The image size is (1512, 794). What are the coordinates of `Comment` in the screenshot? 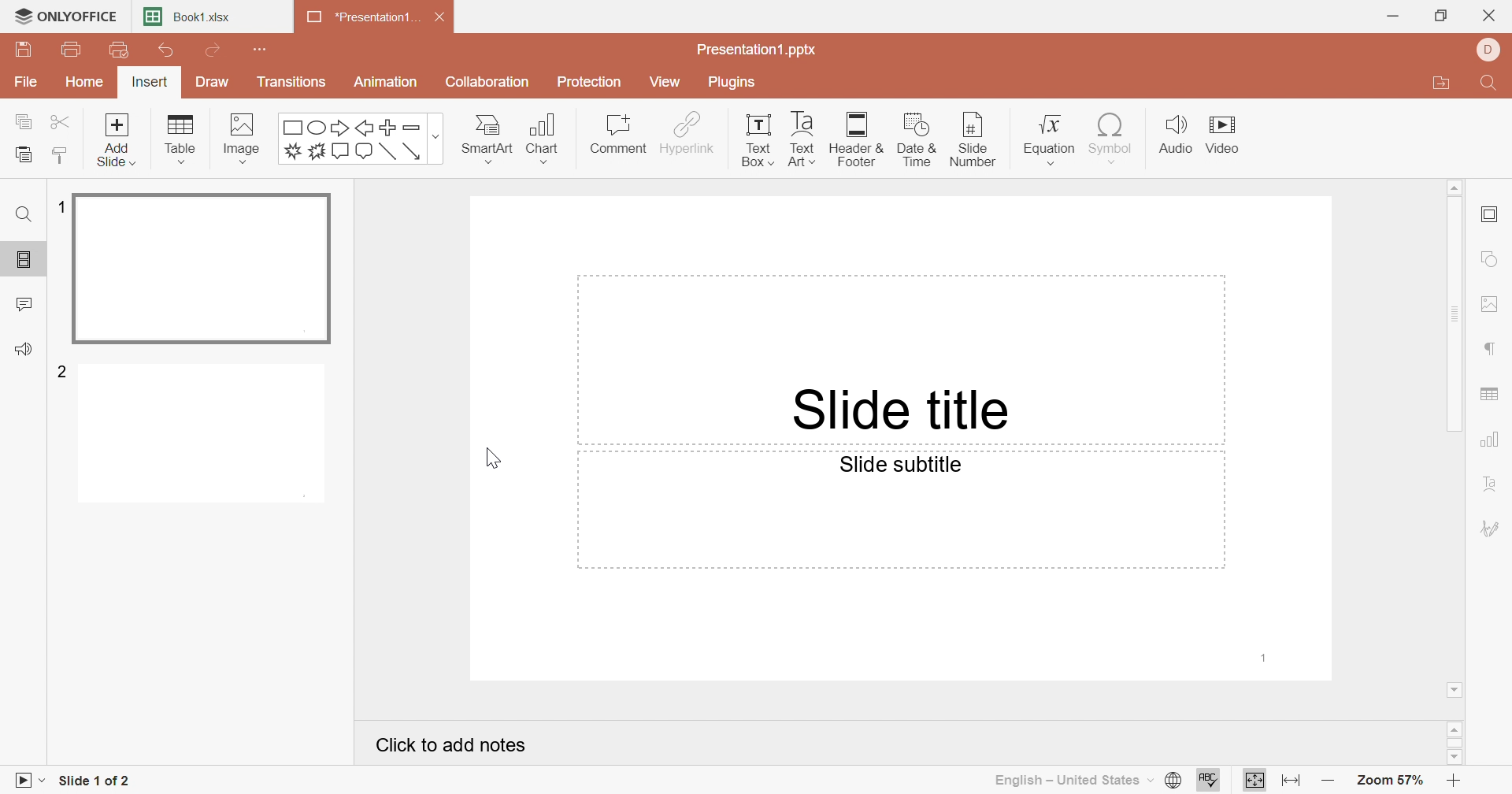 It's located at (617, 135).